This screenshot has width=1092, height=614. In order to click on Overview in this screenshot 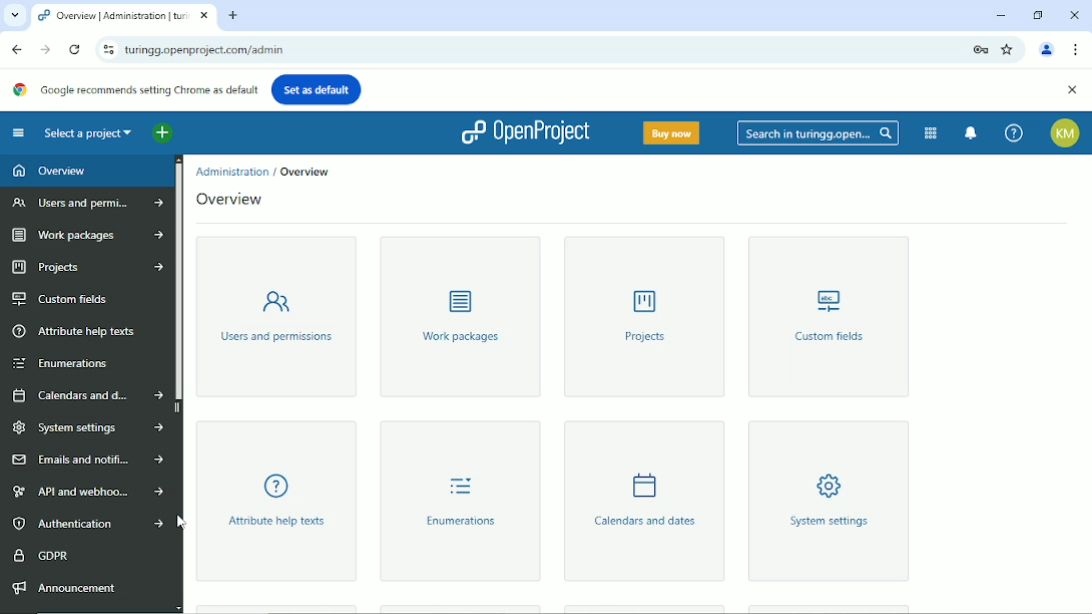, I will do `click(48, 173)`.